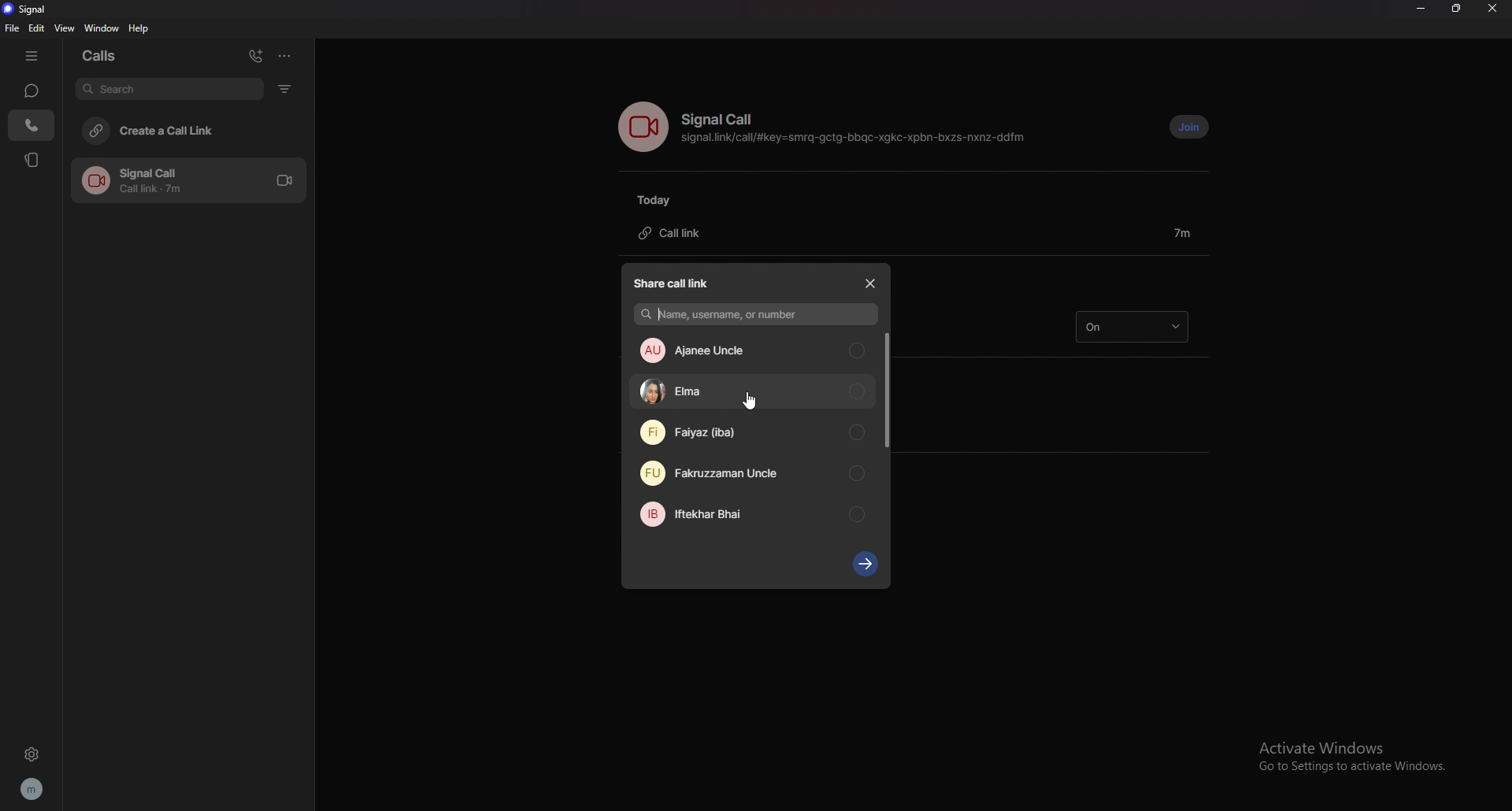 The height and width of the screenshot is (811, 1512). Describe the element at coordinates (31, 754) in the screenshot. I see `settings` at that location.